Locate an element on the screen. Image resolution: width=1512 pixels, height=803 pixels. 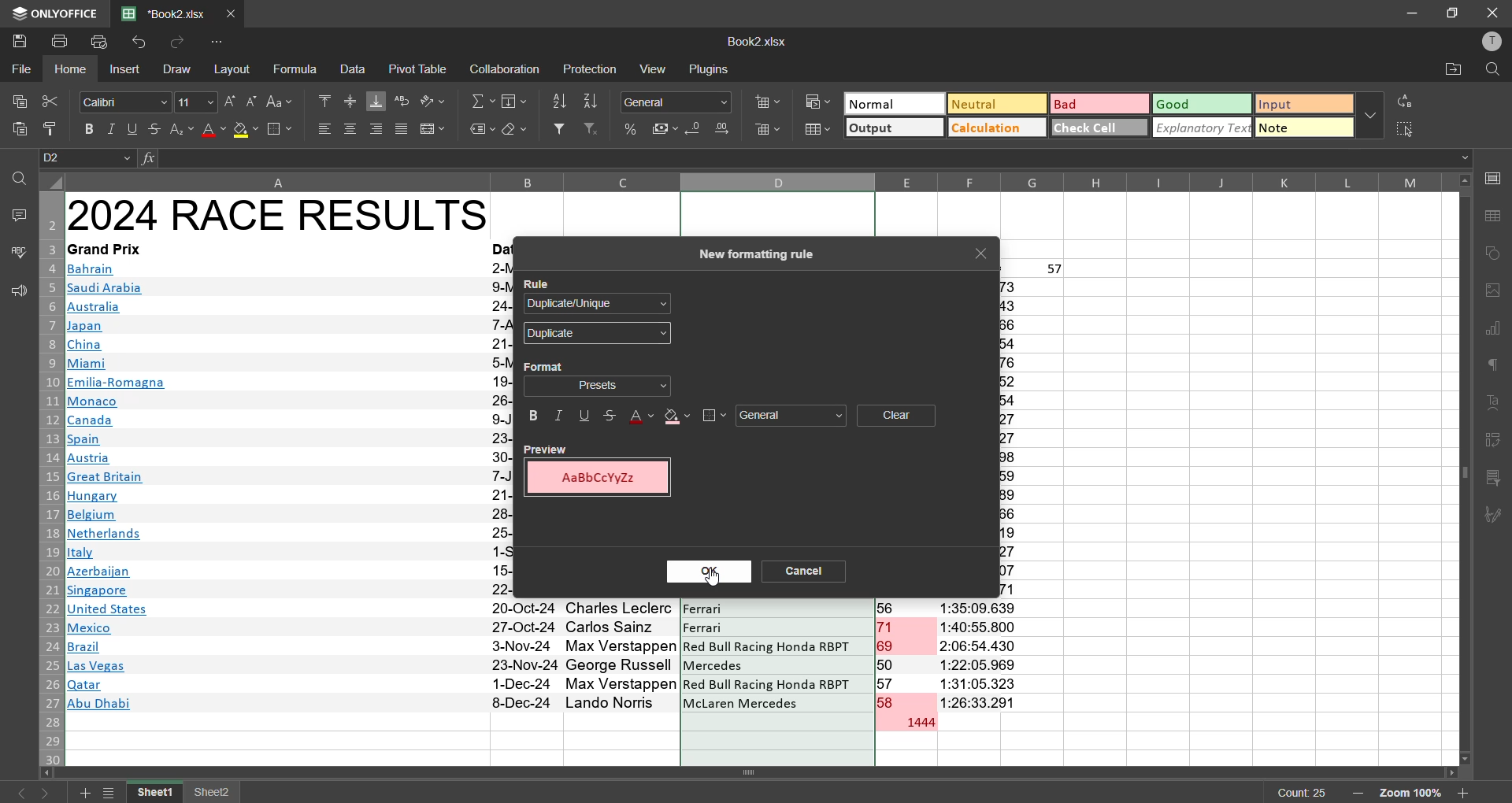
font style is located at coordinates (126, 102).